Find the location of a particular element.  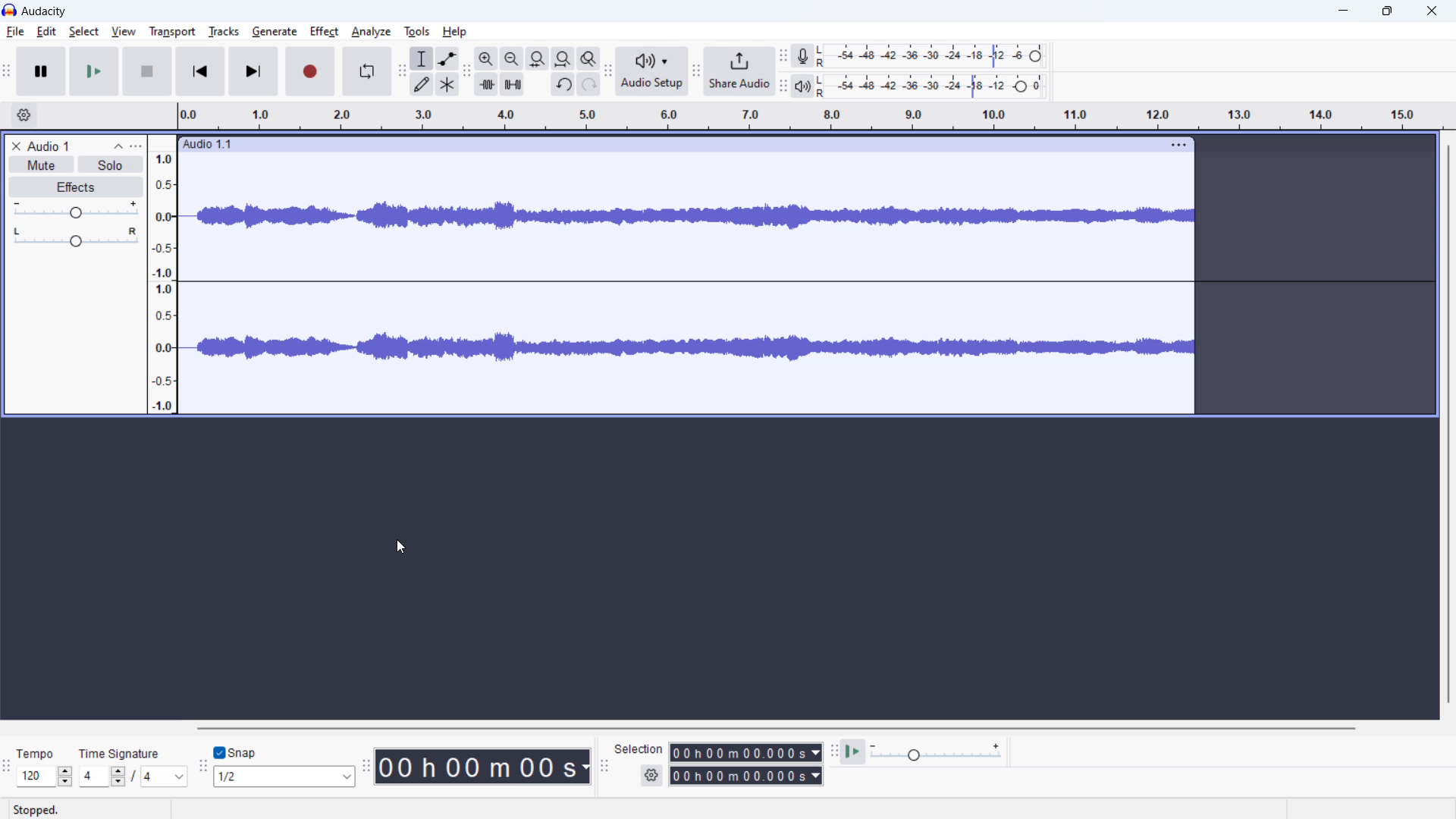

balance is located at coordinates (75, 238).